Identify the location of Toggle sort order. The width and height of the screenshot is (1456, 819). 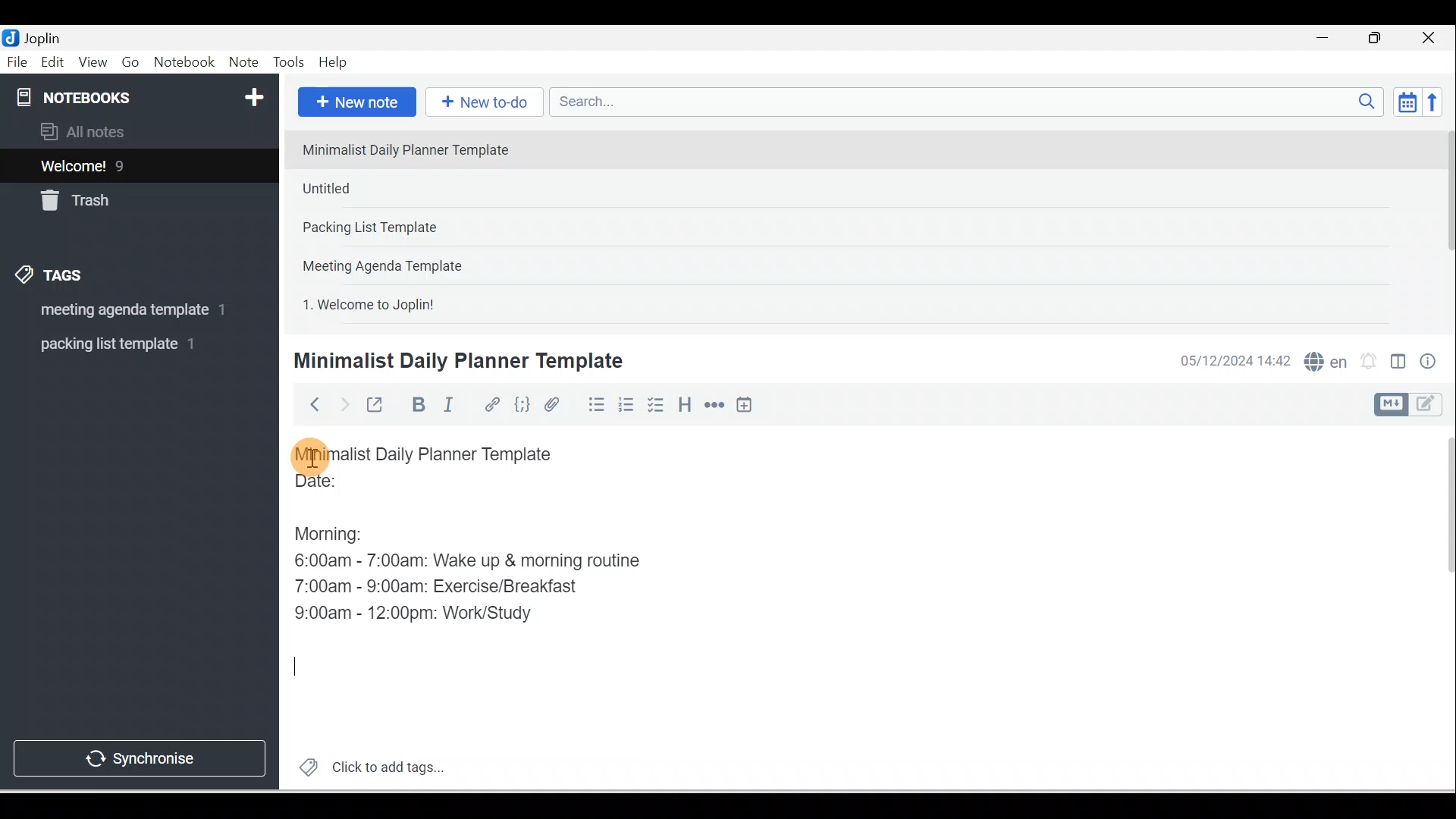
(1407, 101).